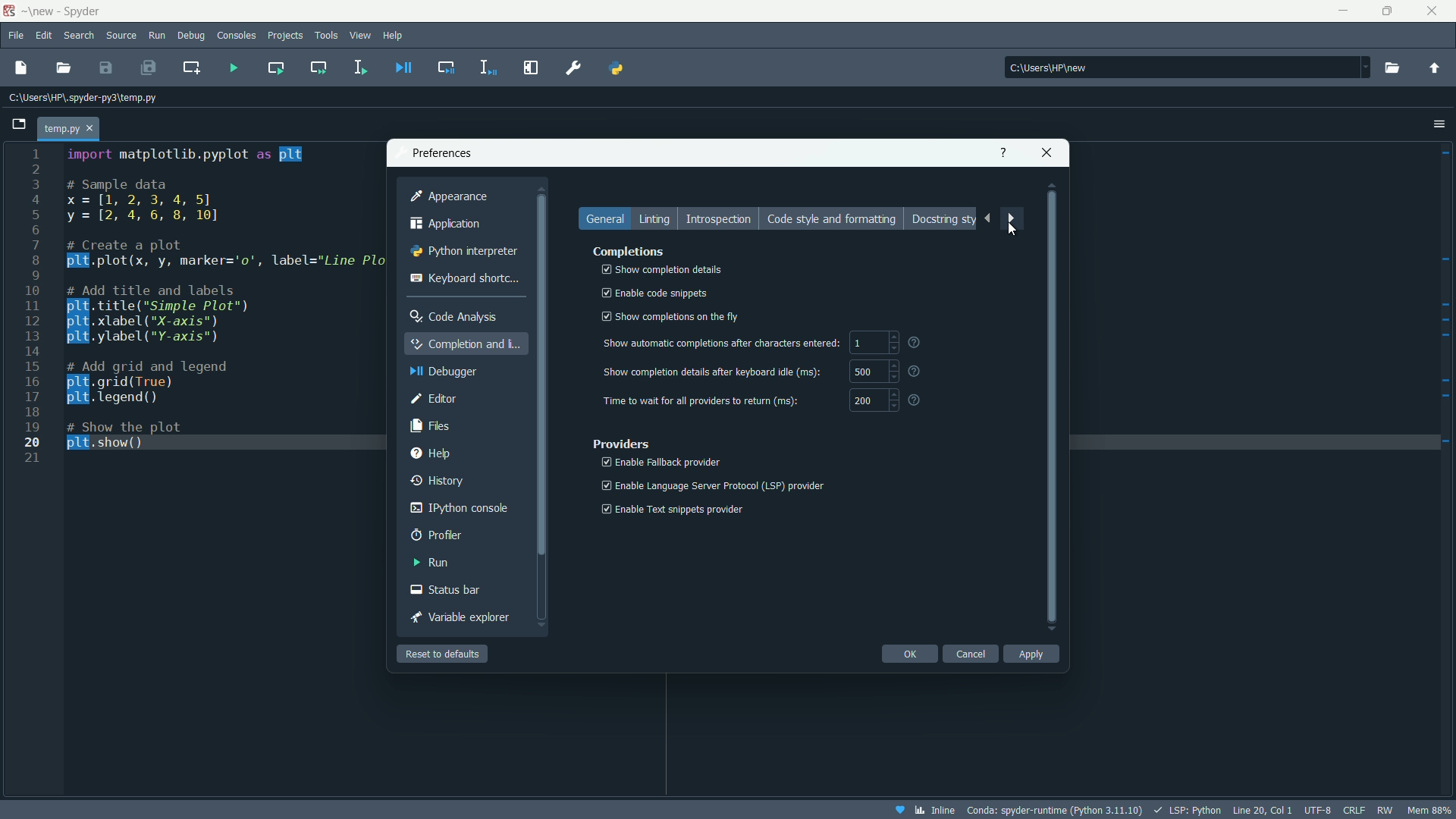 The image size is (1456, 819). I want to click on run file, so click(234, 68).